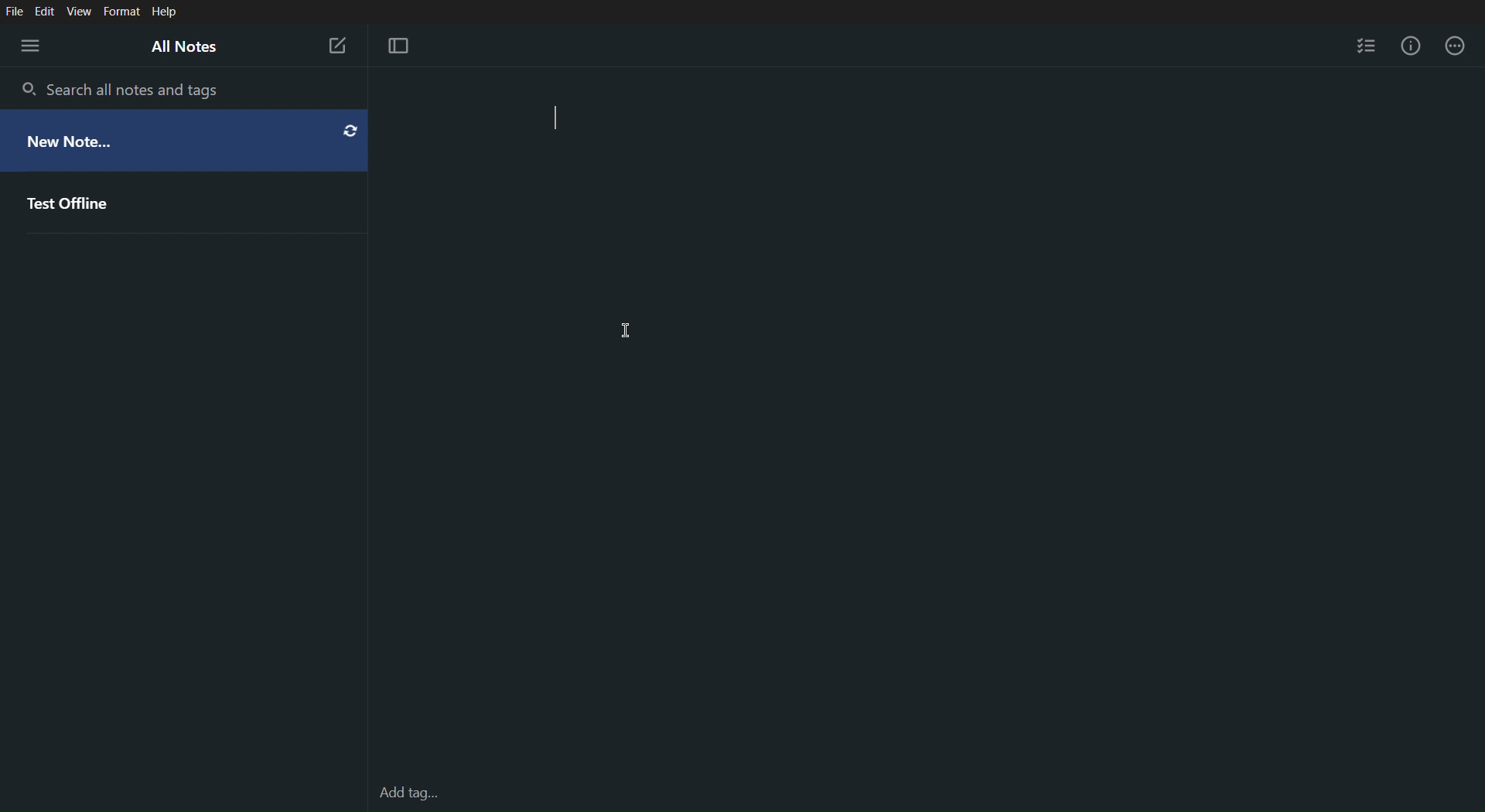 Image resolution: width=1485 pixels, height=812 pixels. Describe the element at coordinates (165, 12) in the screenshot. I see `Help` at that location.